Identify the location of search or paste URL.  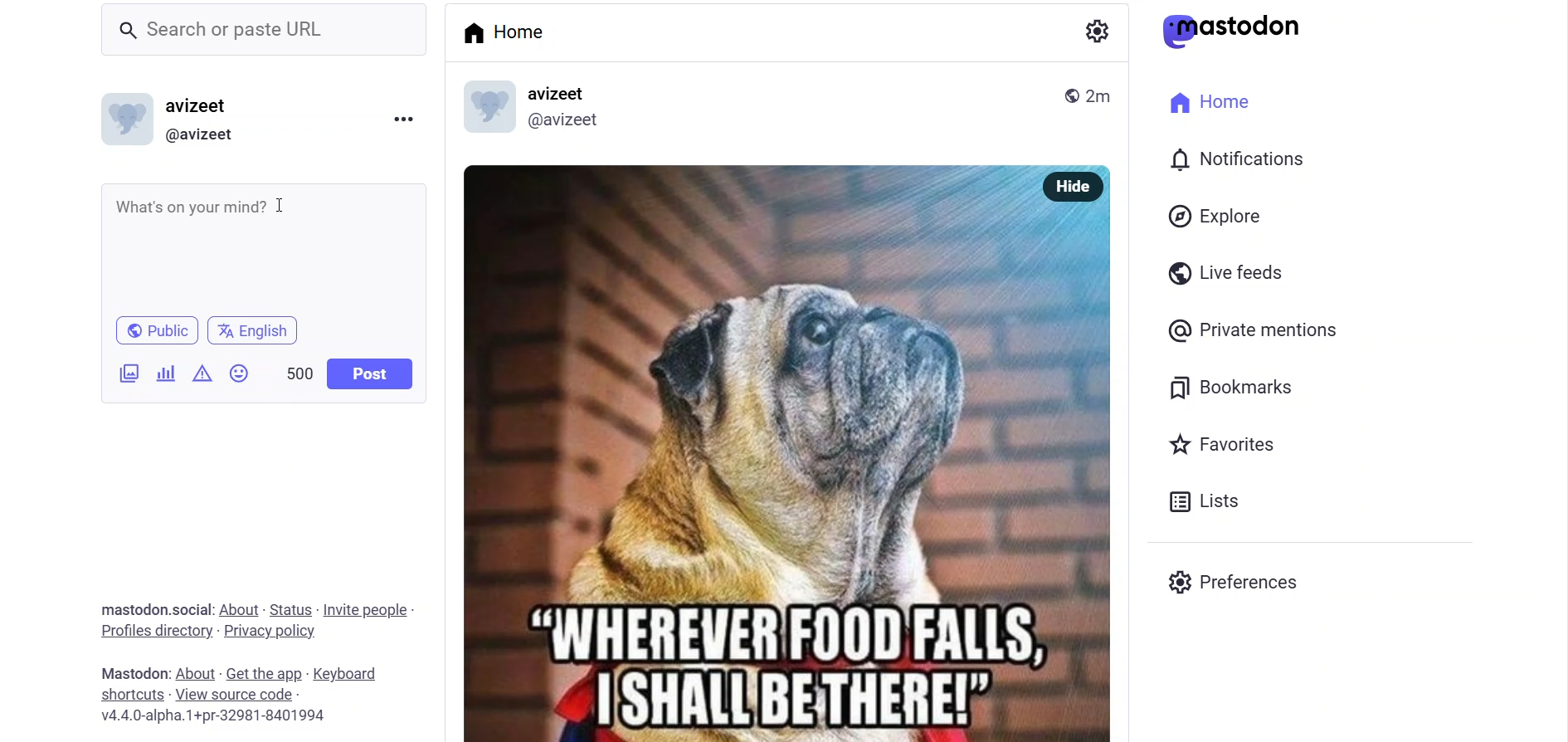
(264, 28).